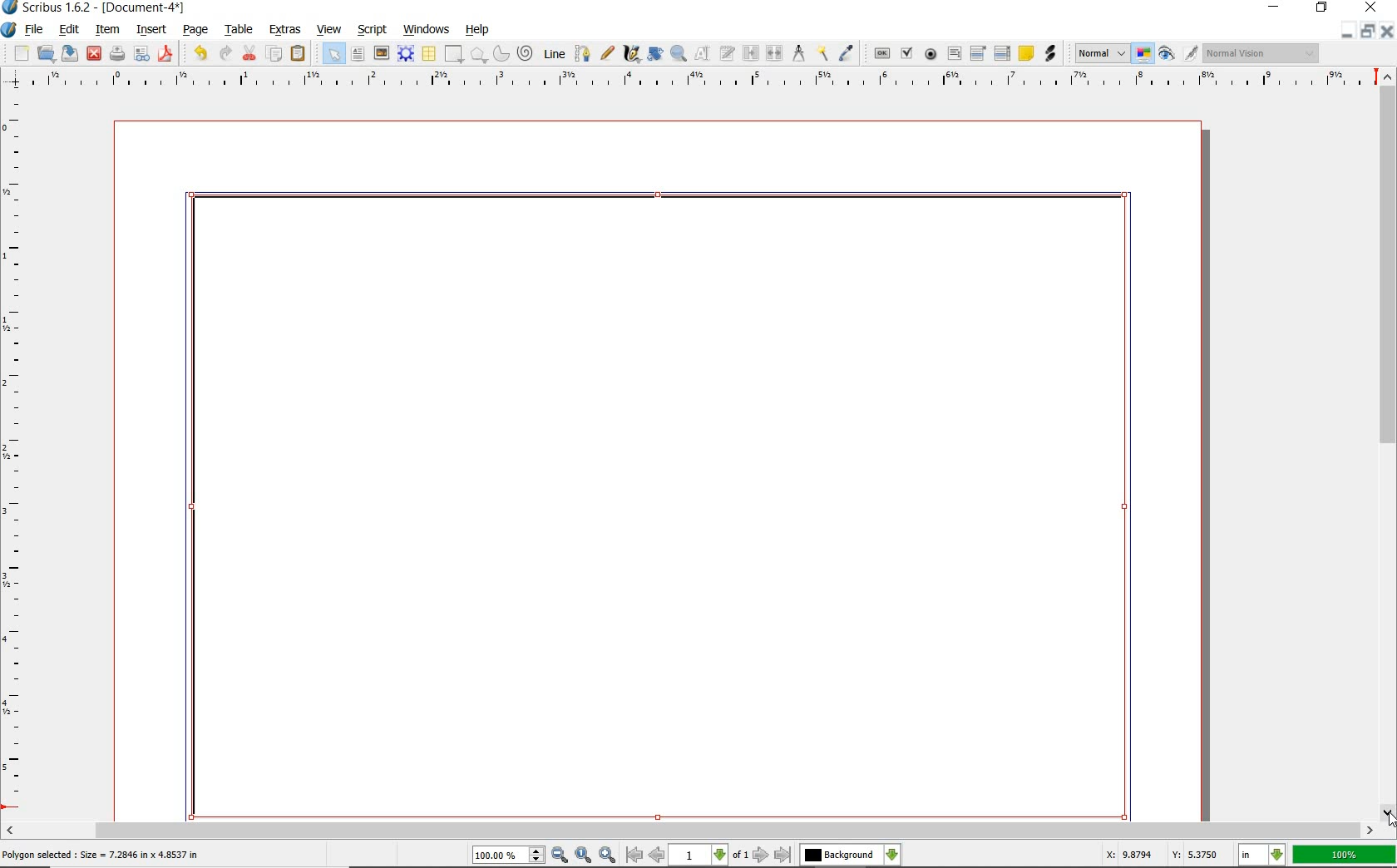 The image size is (1397, 868). I want to click on scrollbar, so click(690, 830).